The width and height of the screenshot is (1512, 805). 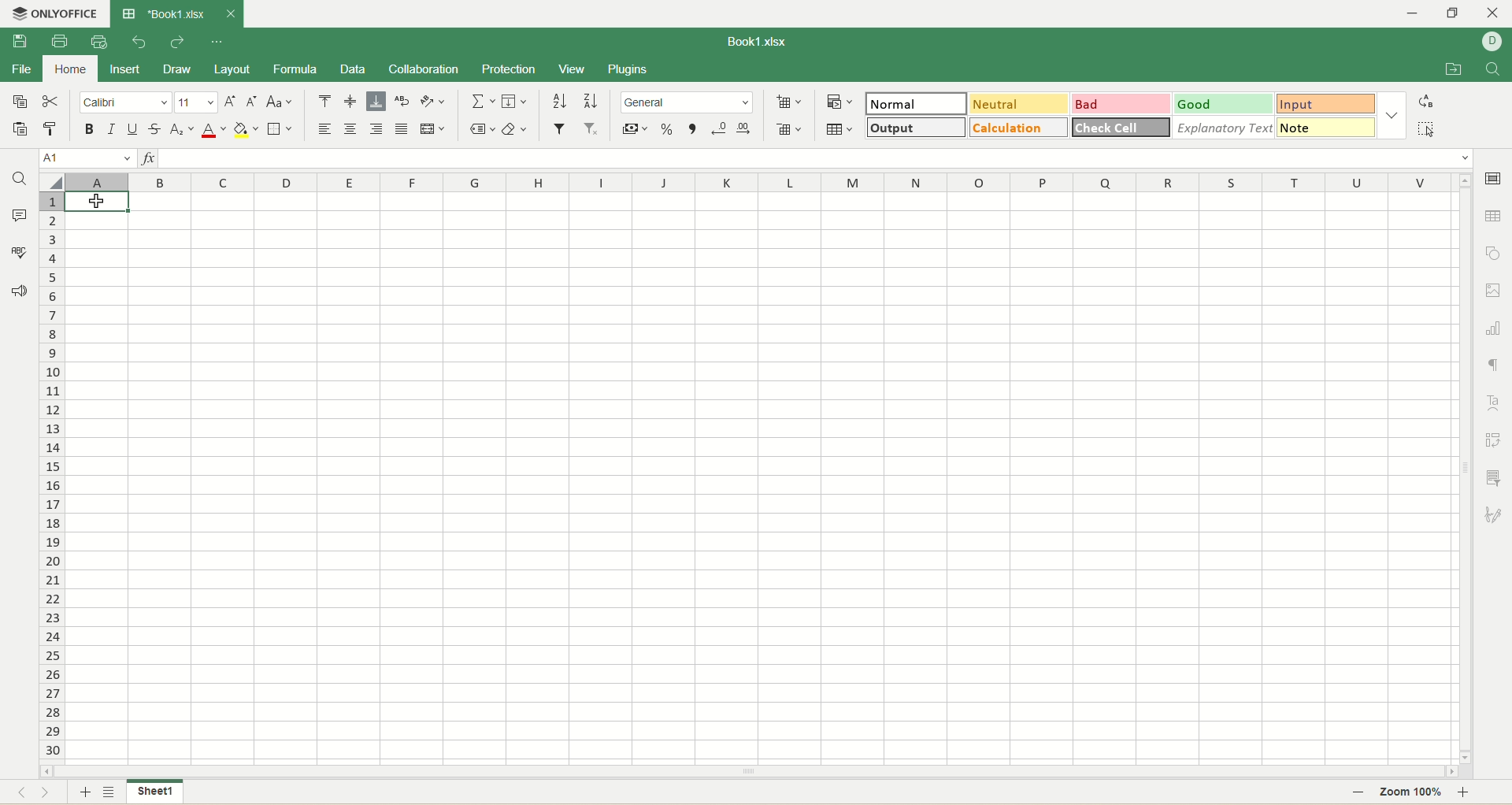 What do you see at coordinates (18, 794) in the screenshot?
I see `previous` at bounding box center [18, 794].